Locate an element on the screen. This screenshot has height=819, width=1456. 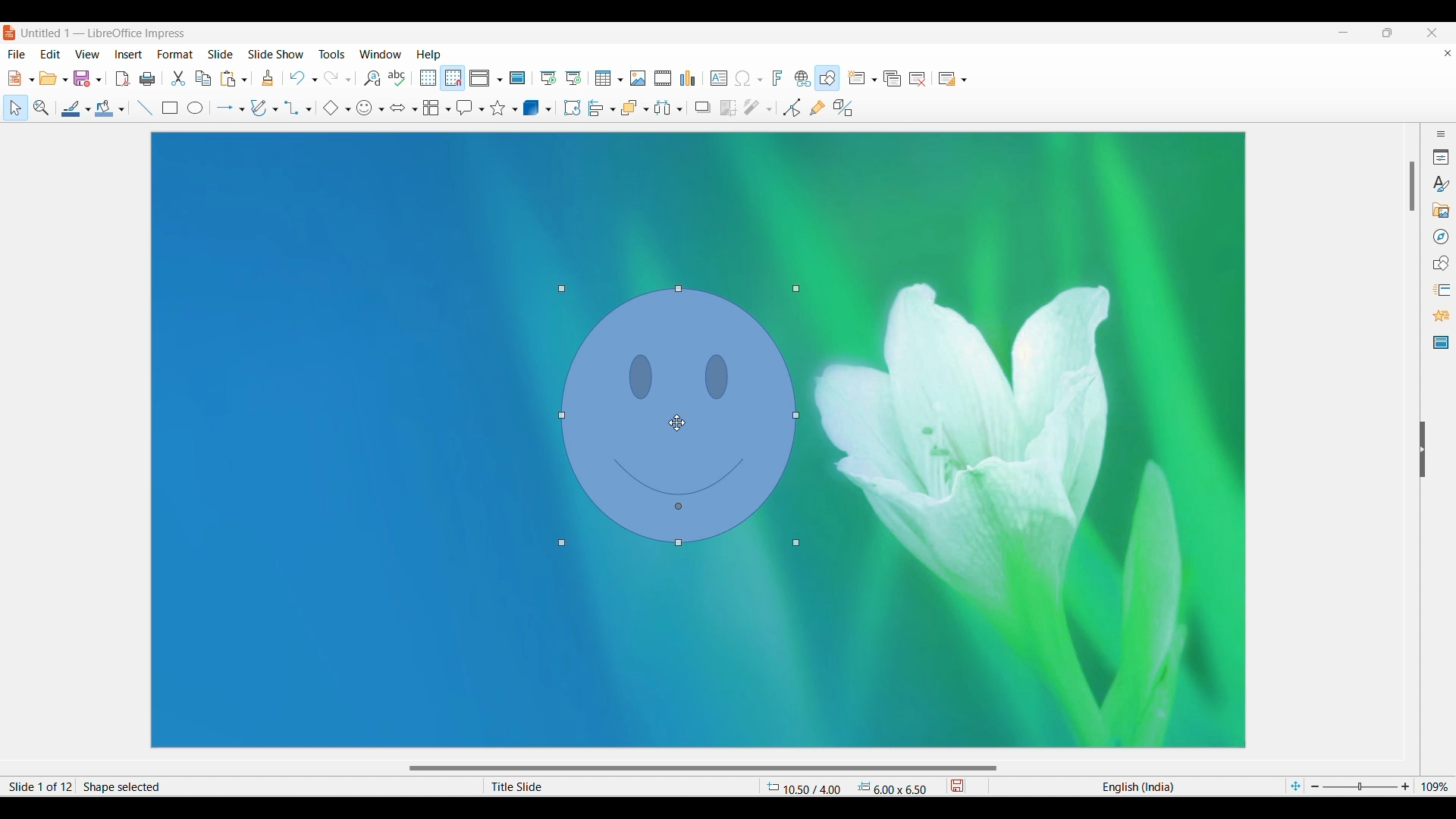
Rectangle is located at coordinates (170, 108).